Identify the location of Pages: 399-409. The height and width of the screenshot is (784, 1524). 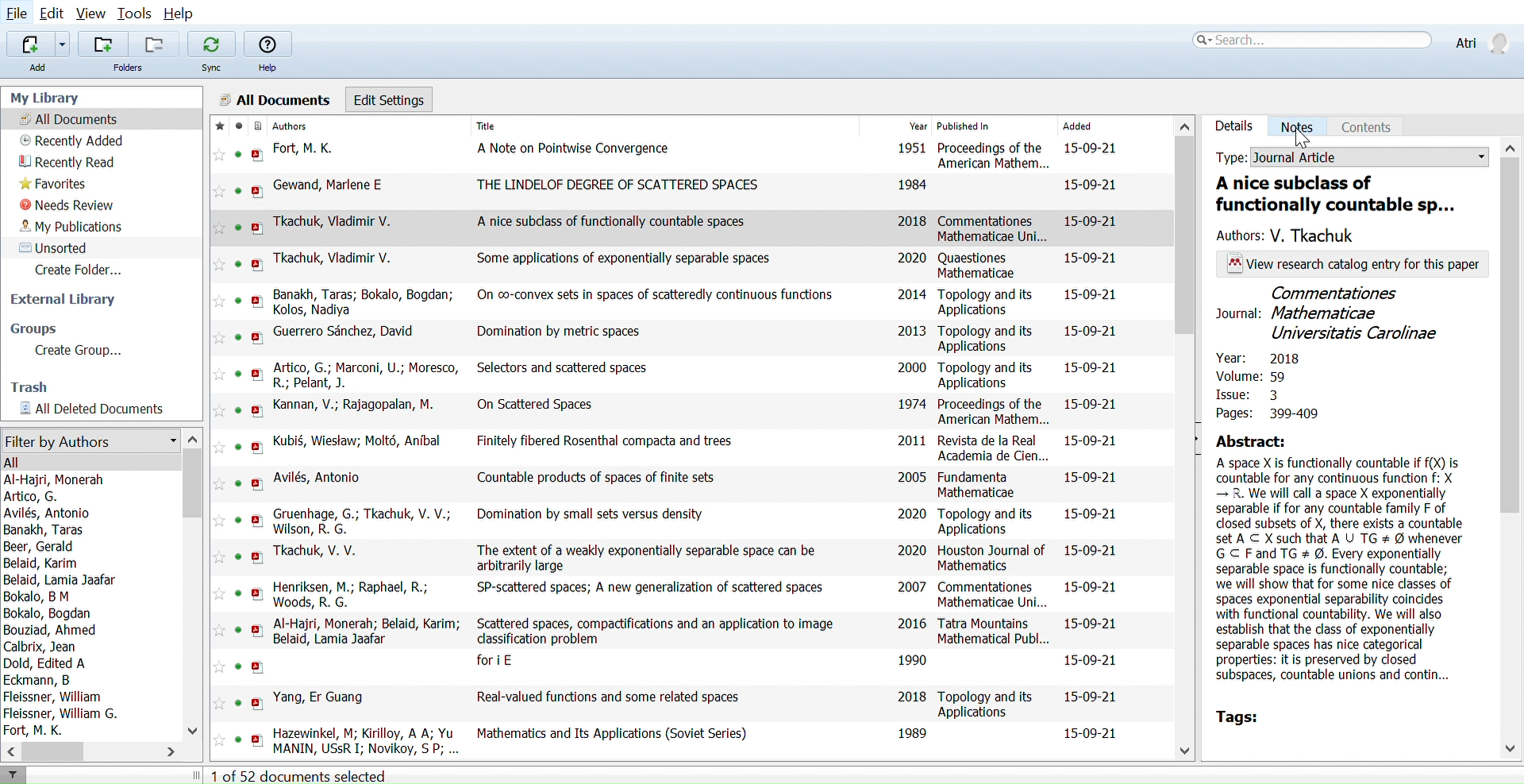
(1271, 415).